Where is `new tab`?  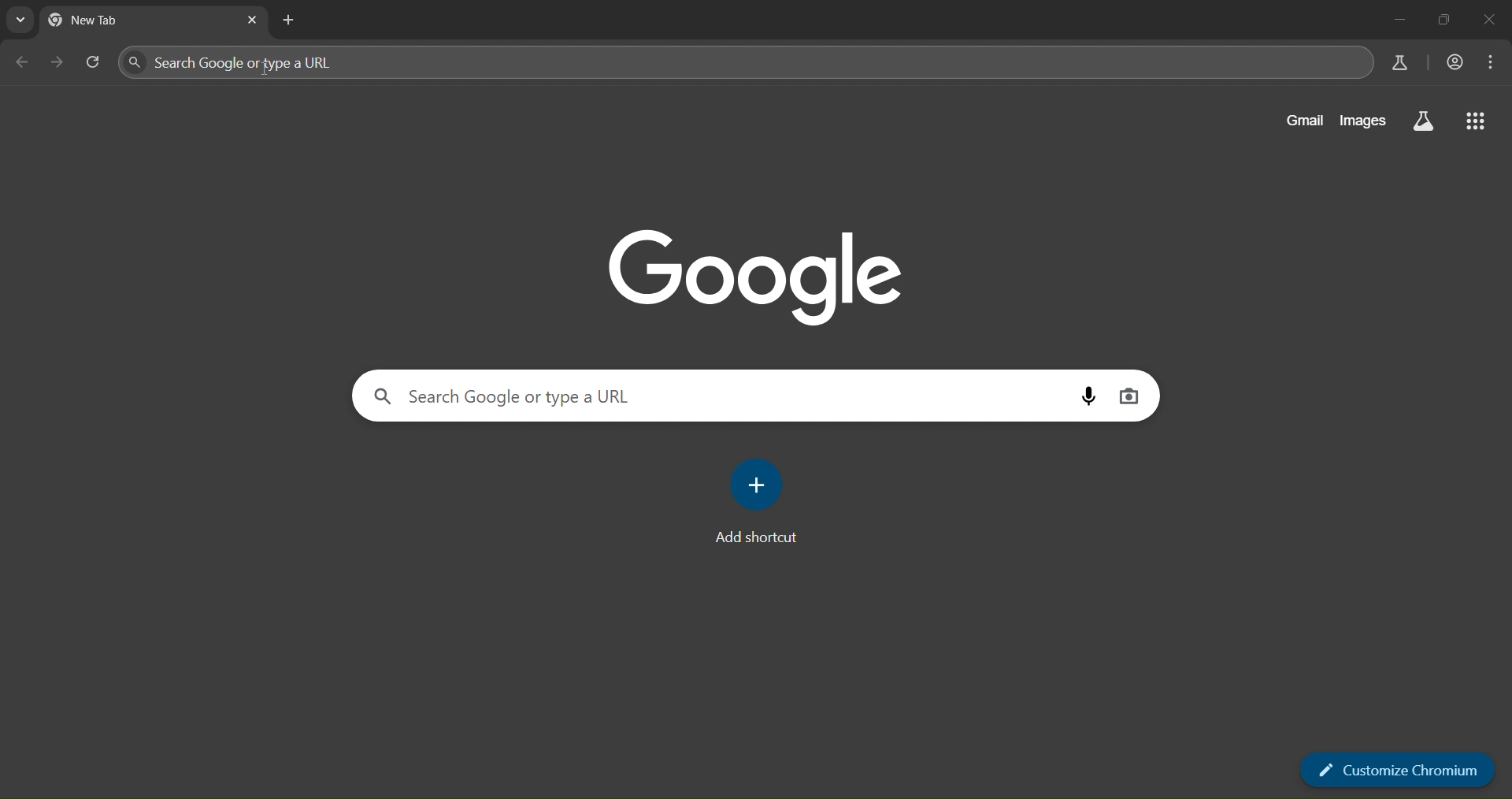 new tab is located at coordinates (289, 20).